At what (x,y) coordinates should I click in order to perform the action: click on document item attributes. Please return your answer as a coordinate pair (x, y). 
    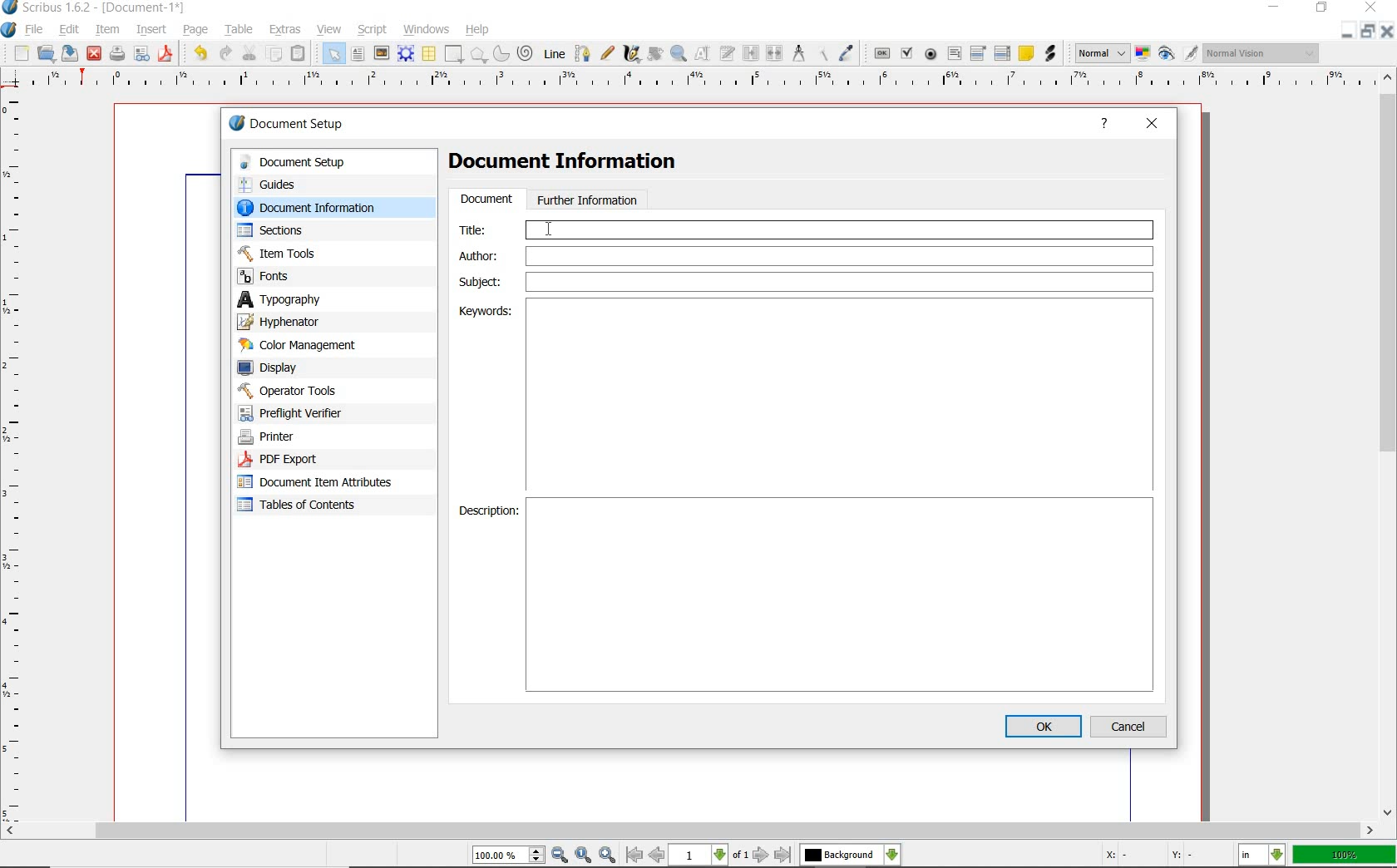
    Looking at the image, I should click on (321, 484).